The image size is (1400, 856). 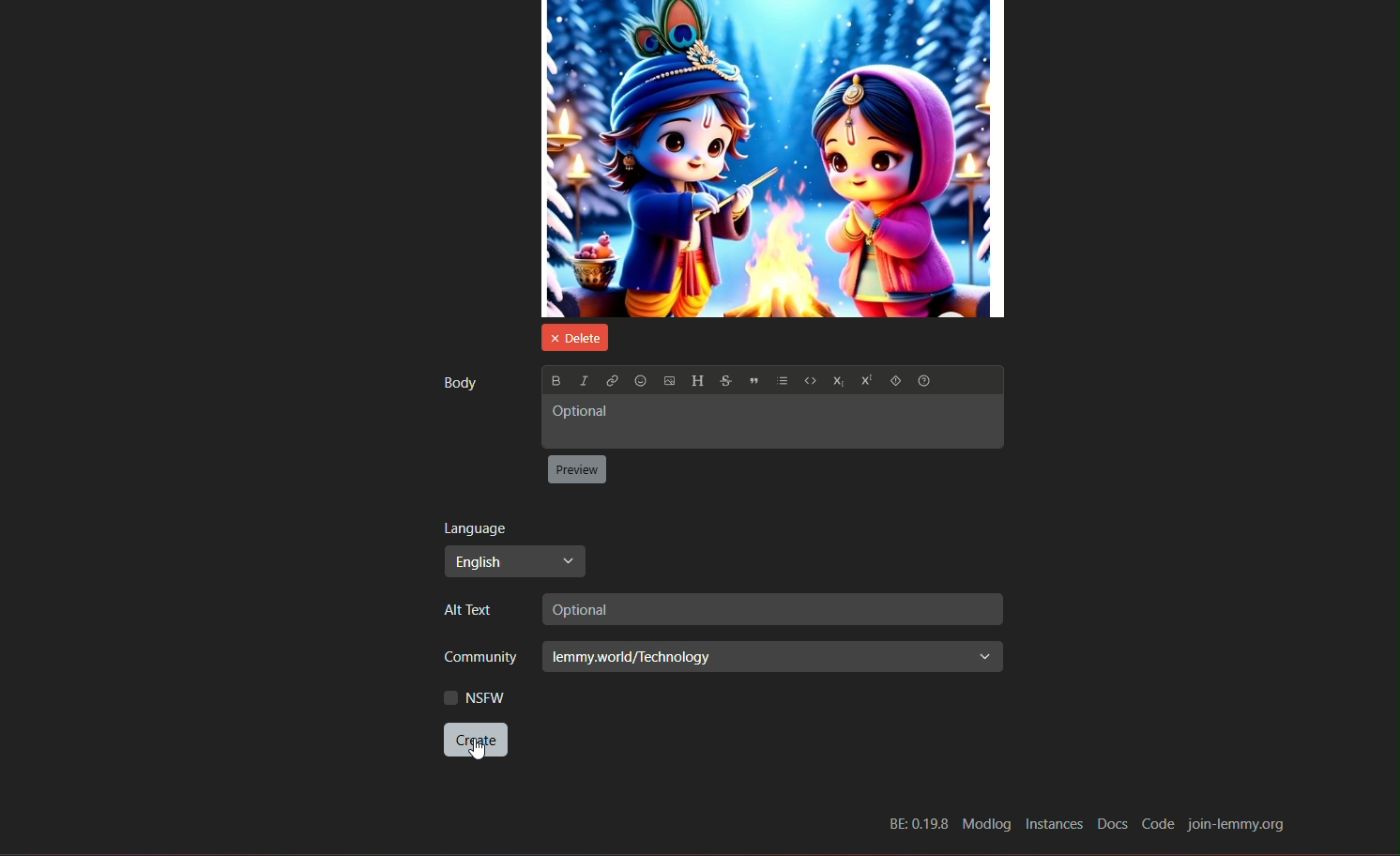 What do you see at coordinates (783, 383) in the screenshot?
I see `list` at bounding box center [783, 383].